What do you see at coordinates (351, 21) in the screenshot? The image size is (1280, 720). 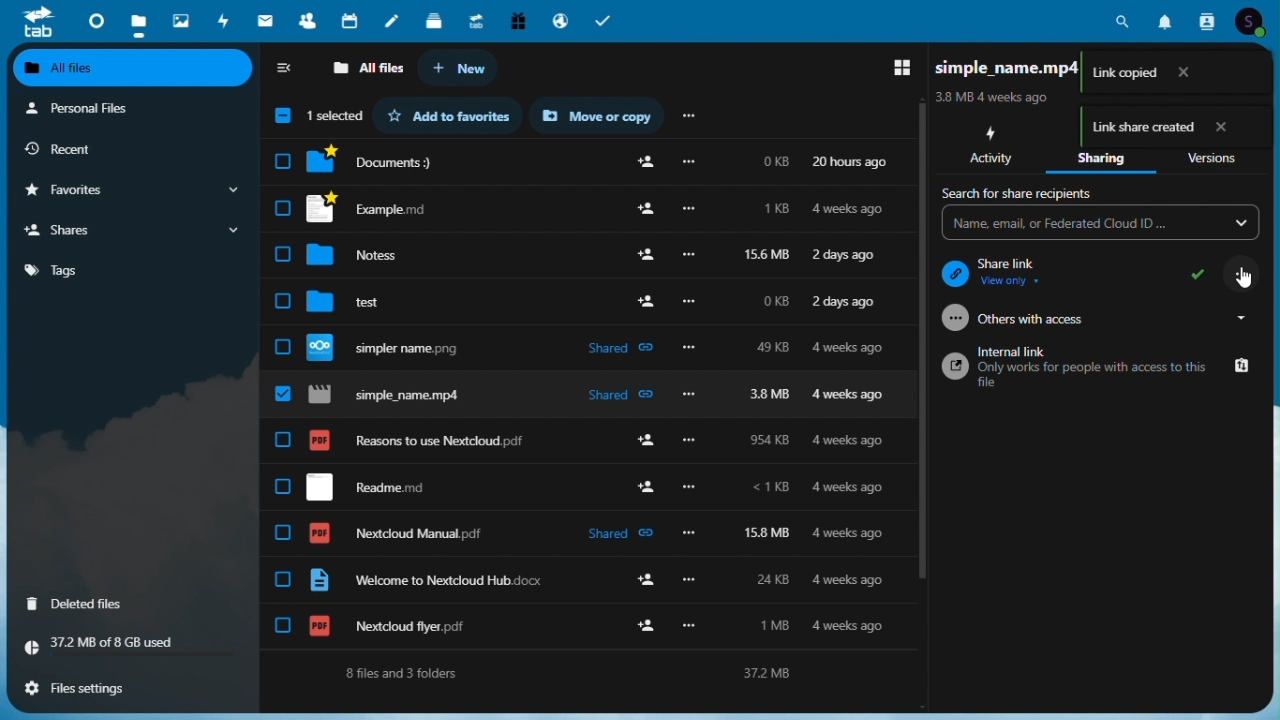 I see `Calendar` at bounding box center [351, 21].